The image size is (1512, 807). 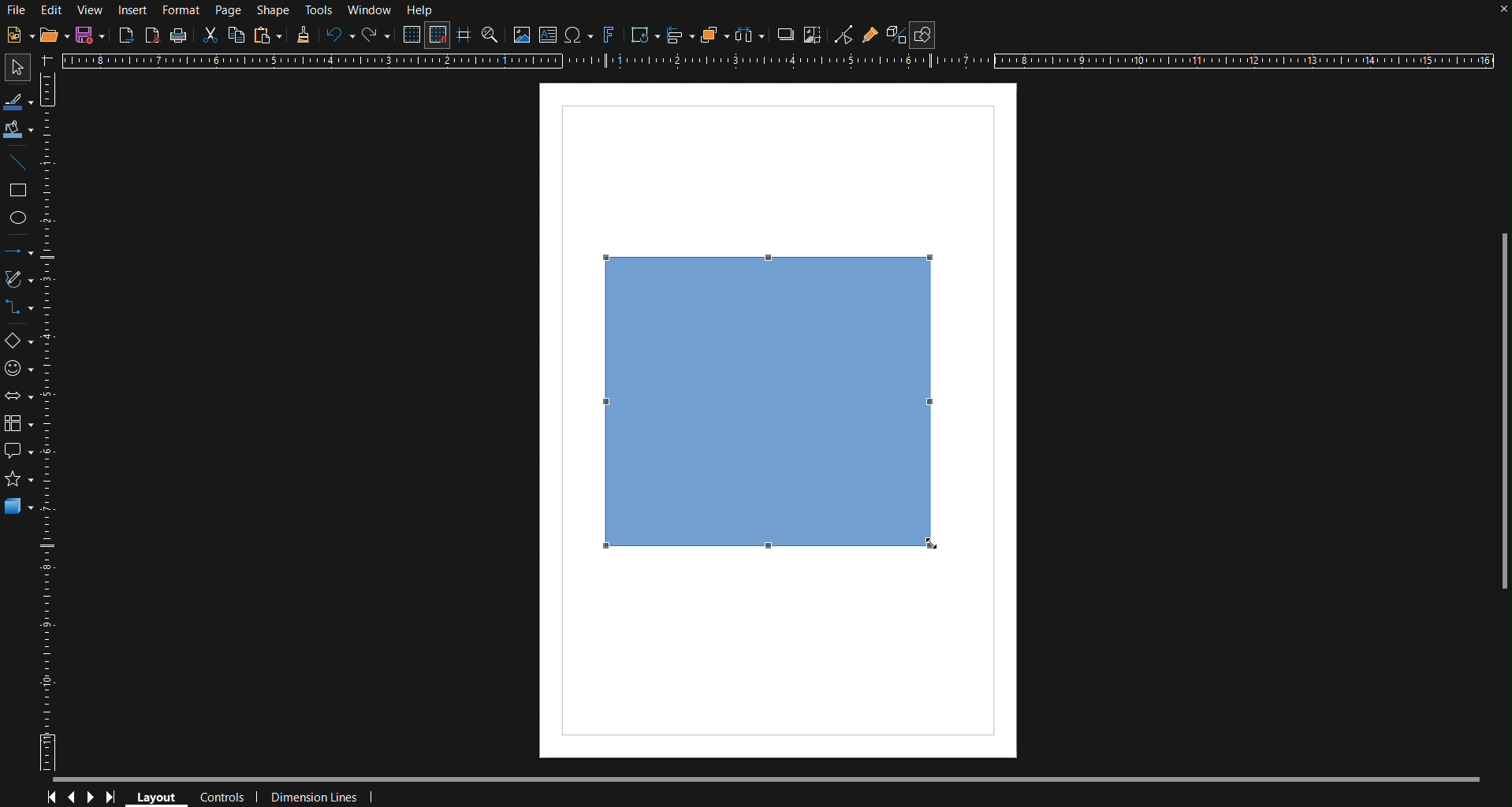 What do you see at coordinates (178, 36) in the screenshot?
I see `Print` at bounding box center [178, 36].